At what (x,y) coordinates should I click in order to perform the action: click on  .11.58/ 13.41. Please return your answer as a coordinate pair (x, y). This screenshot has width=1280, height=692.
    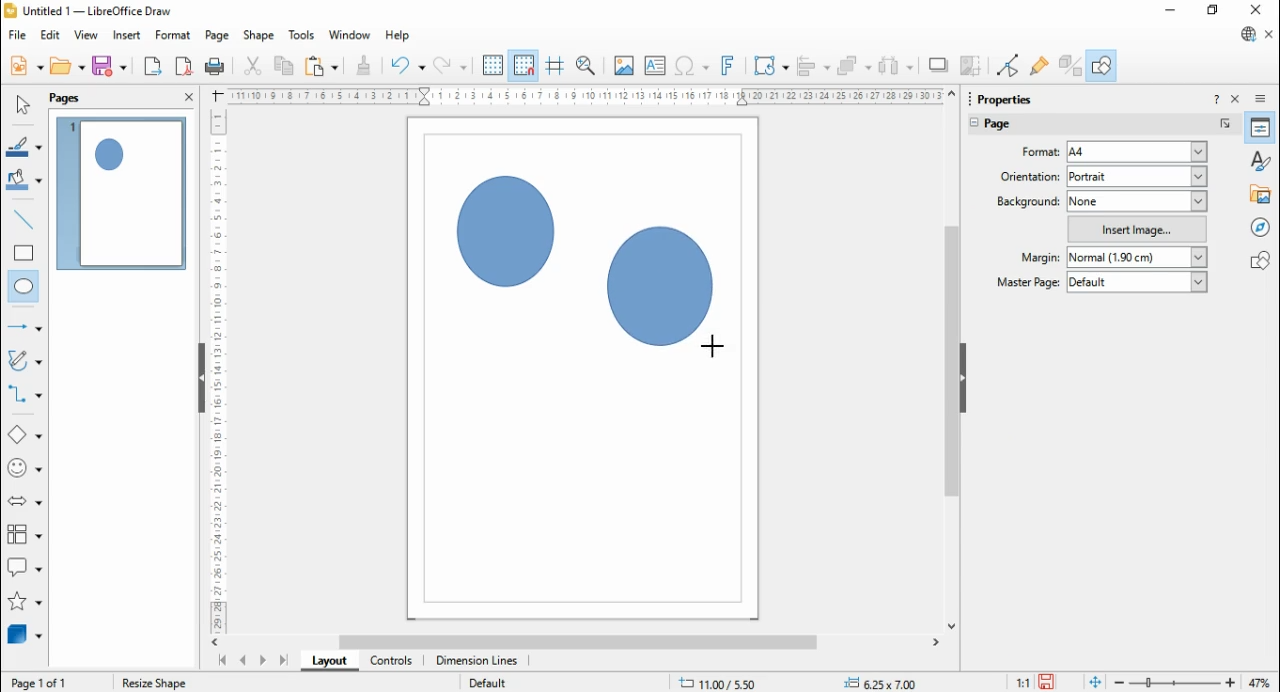
    Looking at the image, I should click on (719, 682).